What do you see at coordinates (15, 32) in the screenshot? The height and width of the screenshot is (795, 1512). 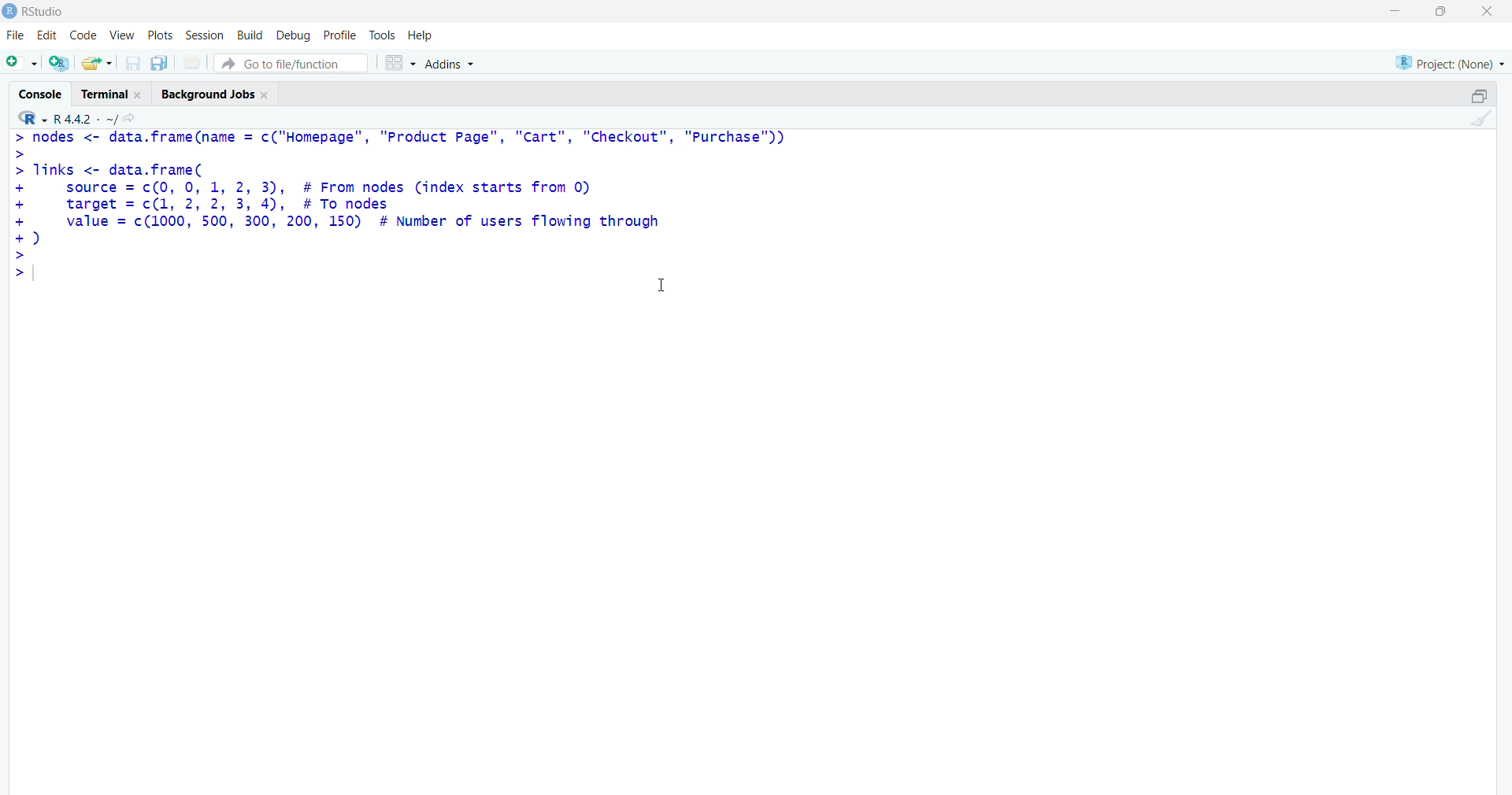 I see `file` at bounding box center [15, 32].